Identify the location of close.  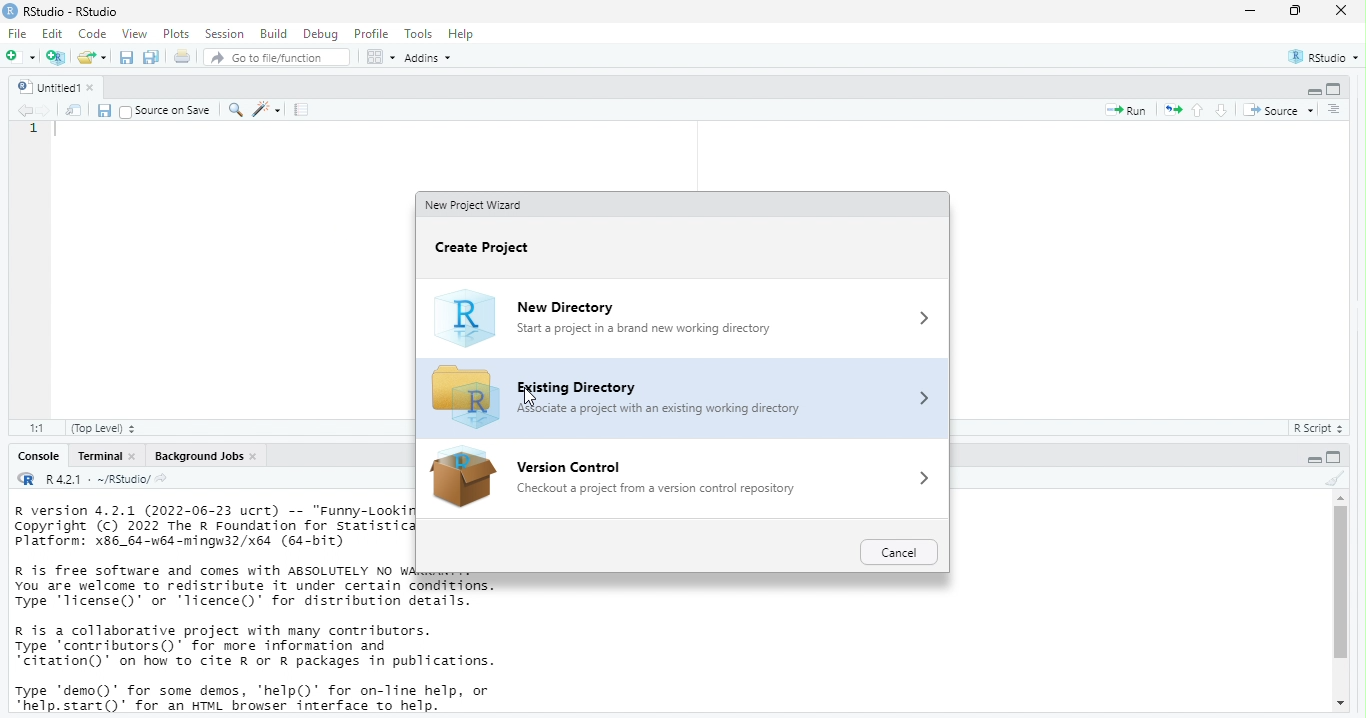
(136, 457).